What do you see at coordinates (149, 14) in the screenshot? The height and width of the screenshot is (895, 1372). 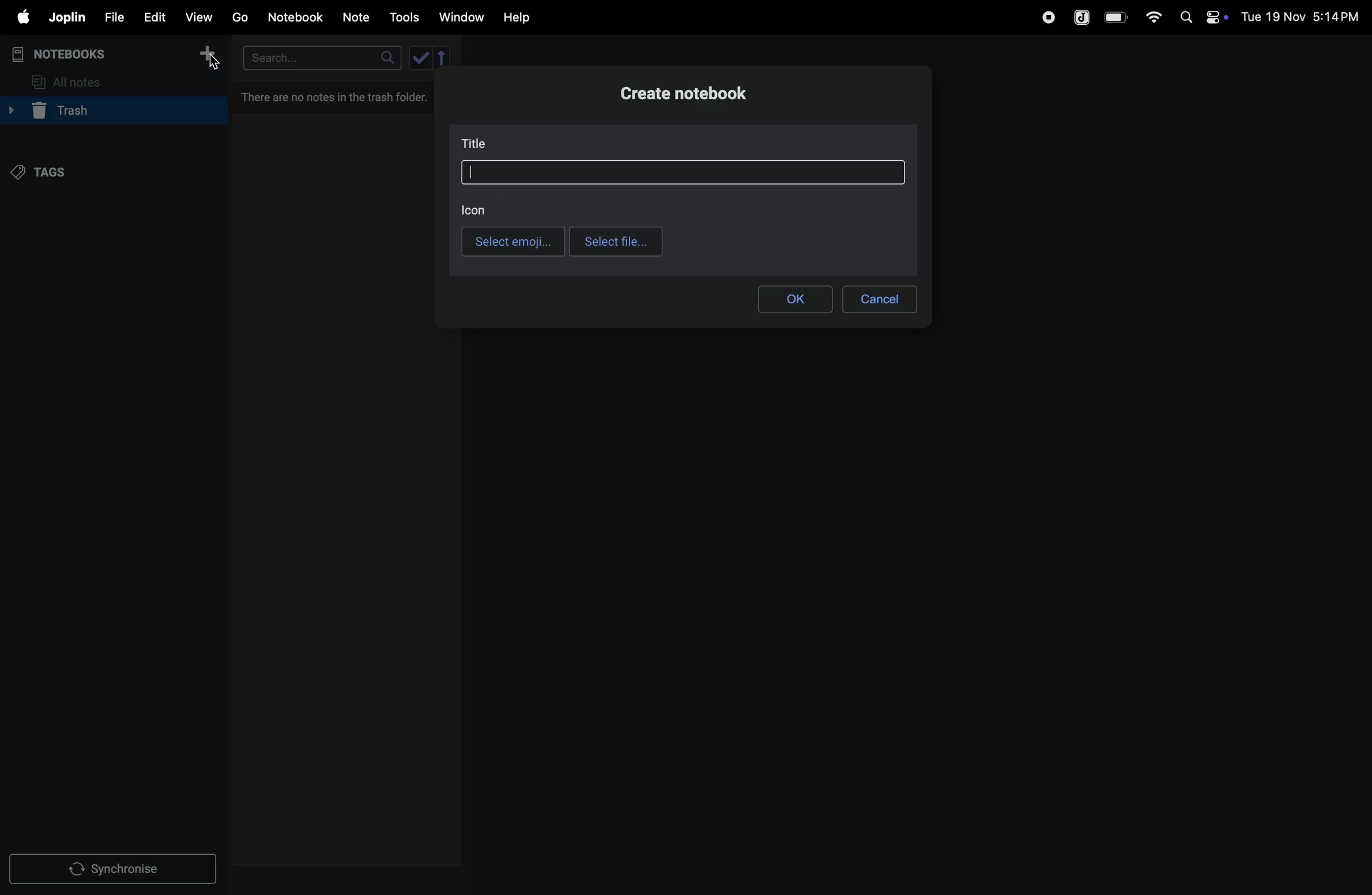 I see `edit` at bounding box center [149, 14].